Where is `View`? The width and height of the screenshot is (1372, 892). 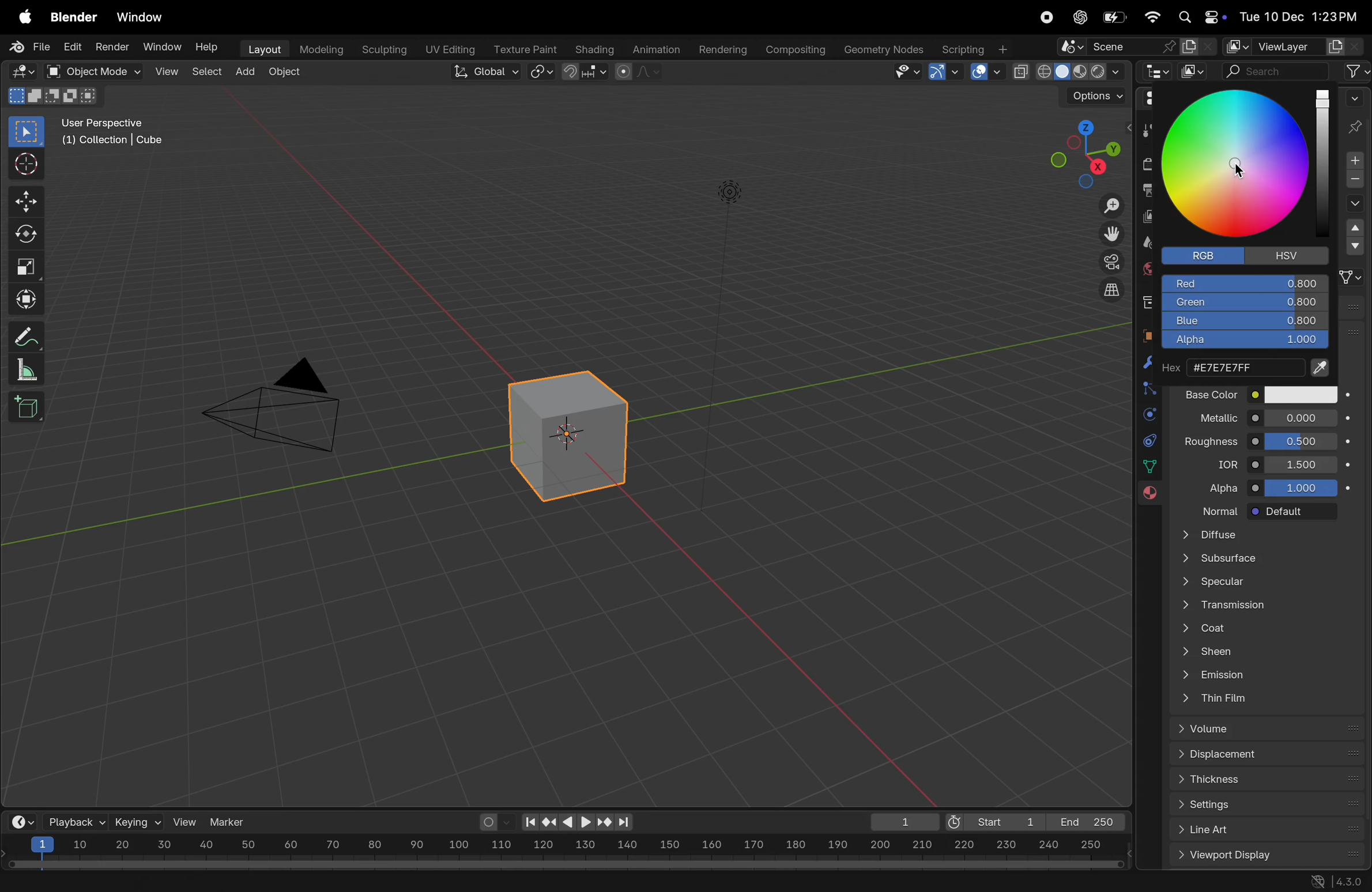 View is located at coordinates (165, 71).